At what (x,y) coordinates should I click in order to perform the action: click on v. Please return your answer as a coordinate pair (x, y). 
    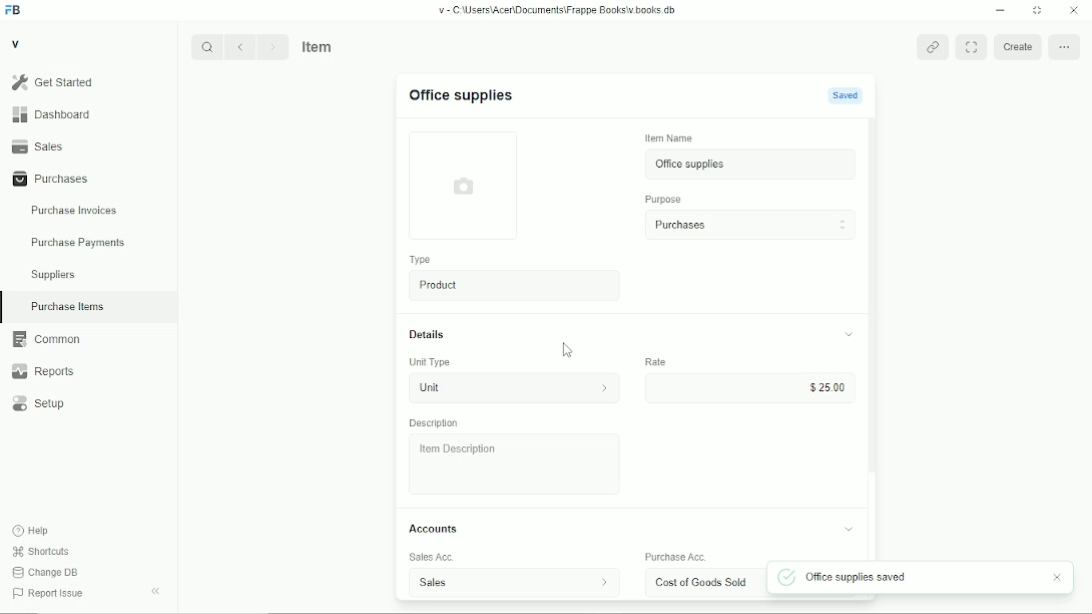
    Looking at the image, I should click on (17, 43).